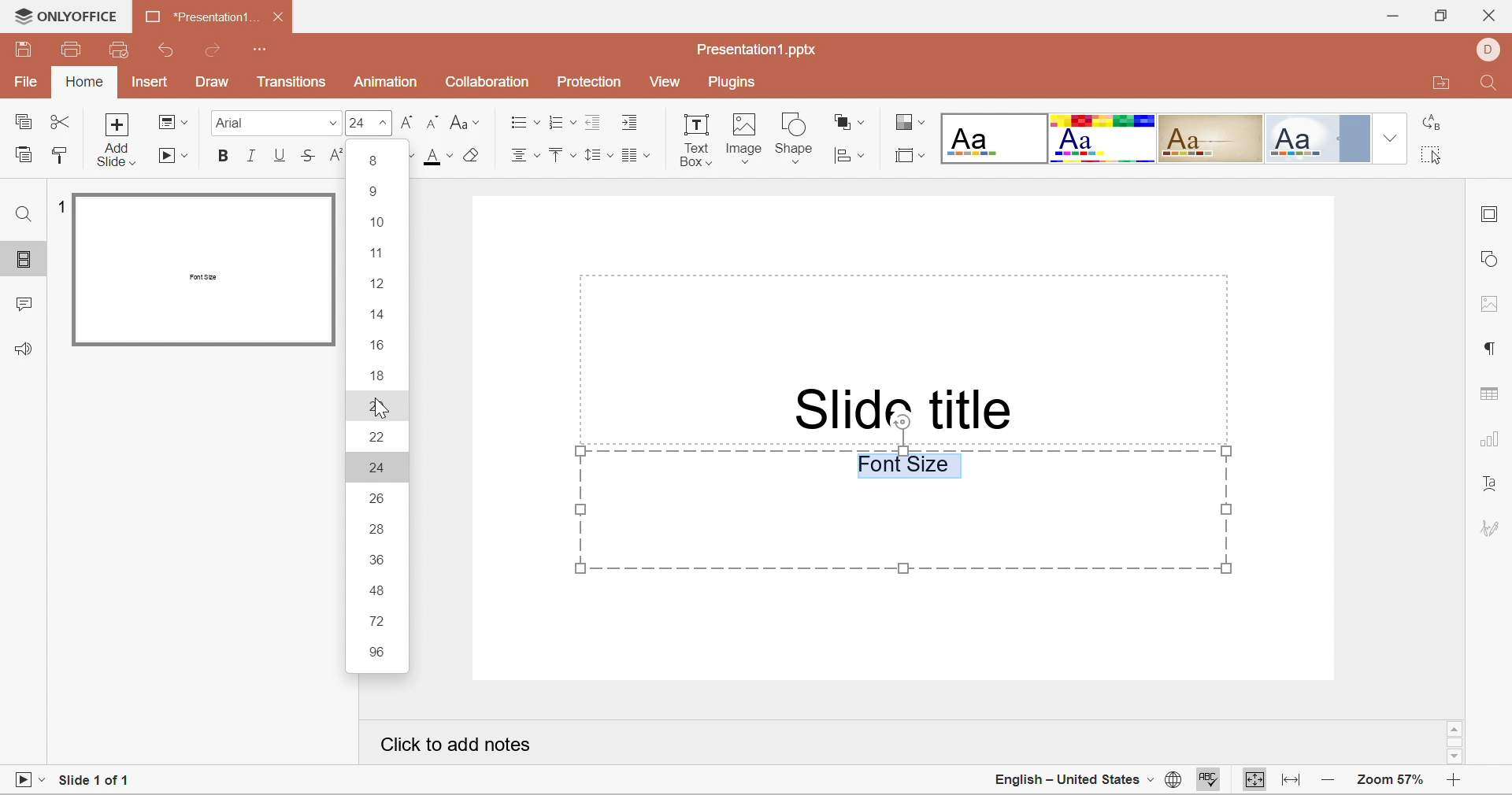 The width and height of the screenshot is (1512, 795). I want to click on Open file location, so click(1443, 83).